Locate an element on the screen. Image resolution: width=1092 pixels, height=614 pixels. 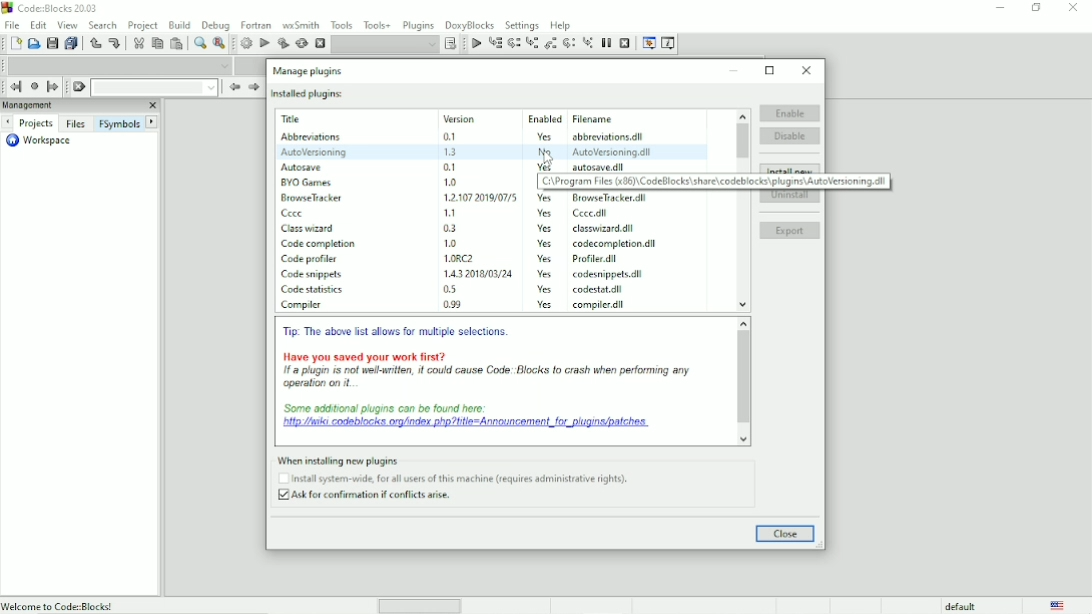
Language is located at coordinates (1060, 605).